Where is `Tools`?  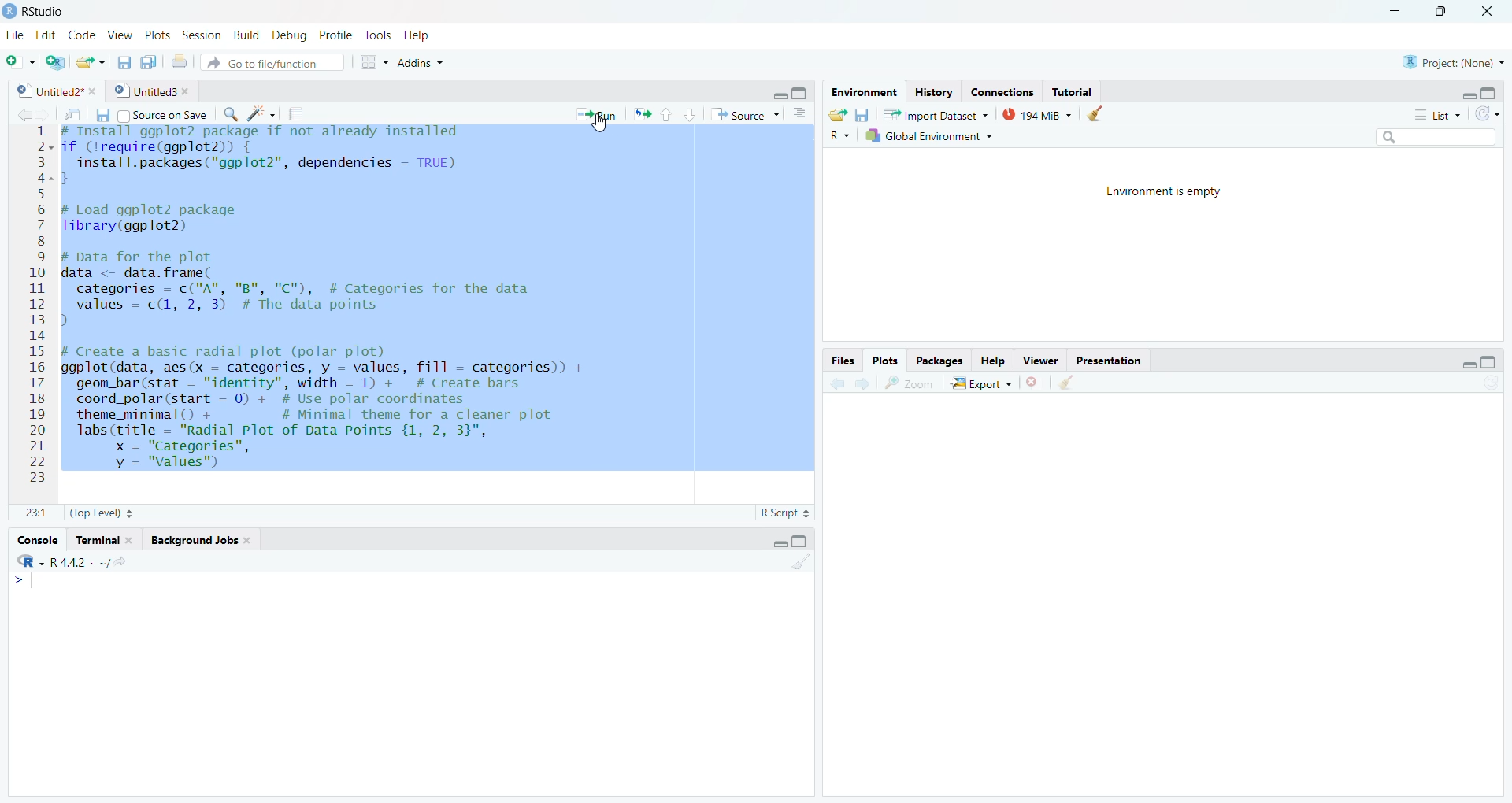 Tools is located at coordinates (376, 35).